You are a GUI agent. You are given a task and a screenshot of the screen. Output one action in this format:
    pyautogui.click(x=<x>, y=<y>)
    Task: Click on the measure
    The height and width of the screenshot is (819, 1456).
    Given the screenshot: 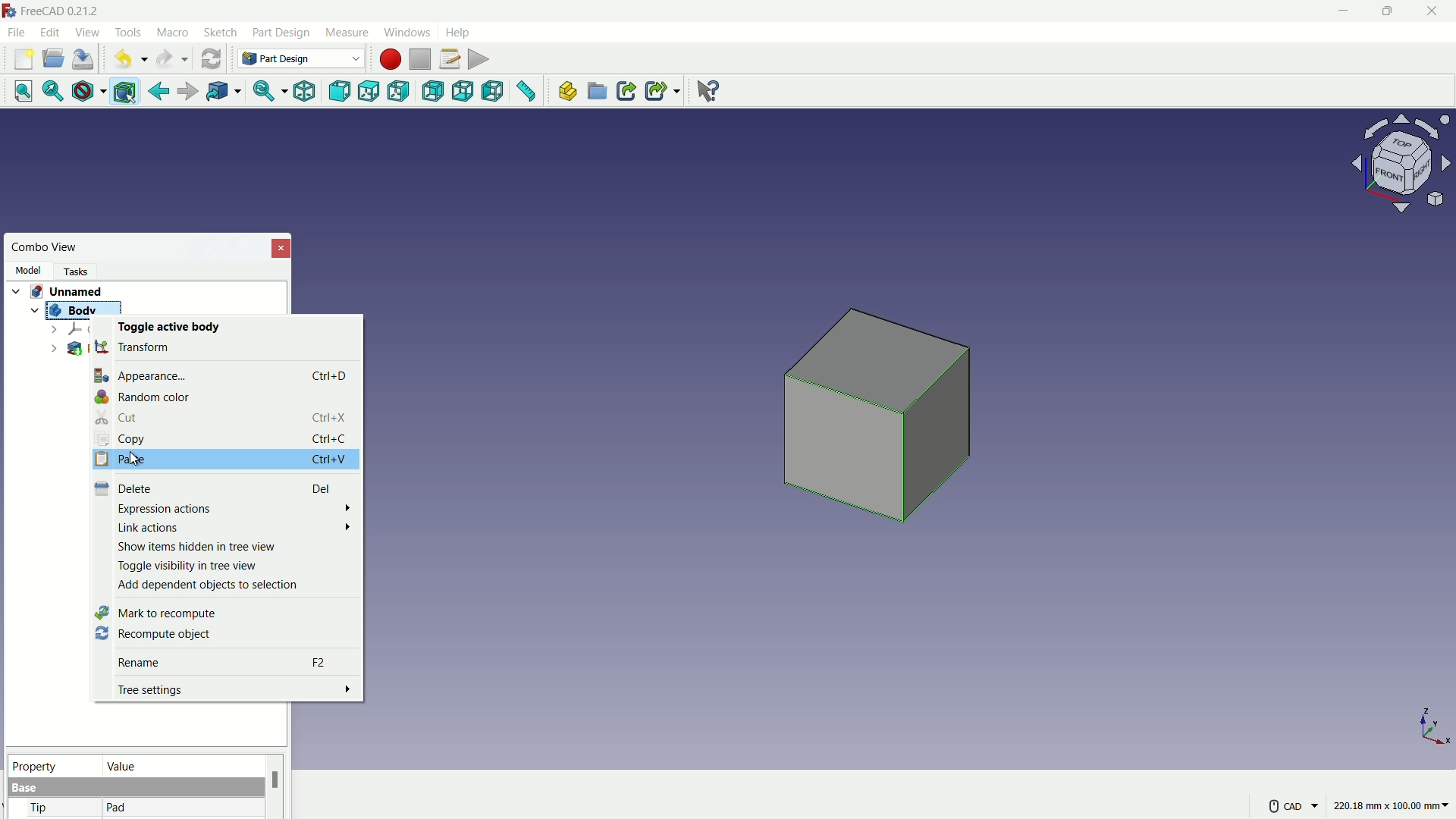 What is the action you would take?
    pyautogui.click(x=346, y=33)
    